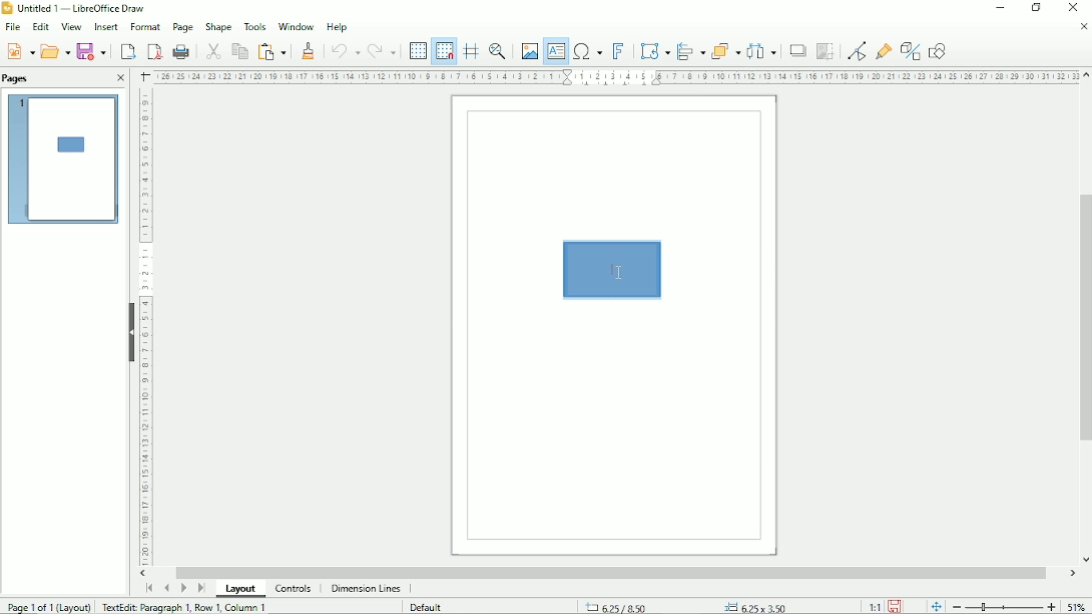 The width and height of the screenshot is (1092, 614). Describe the element at coordinates (293, 589) in the screenshot. I see `Controls` at that location.